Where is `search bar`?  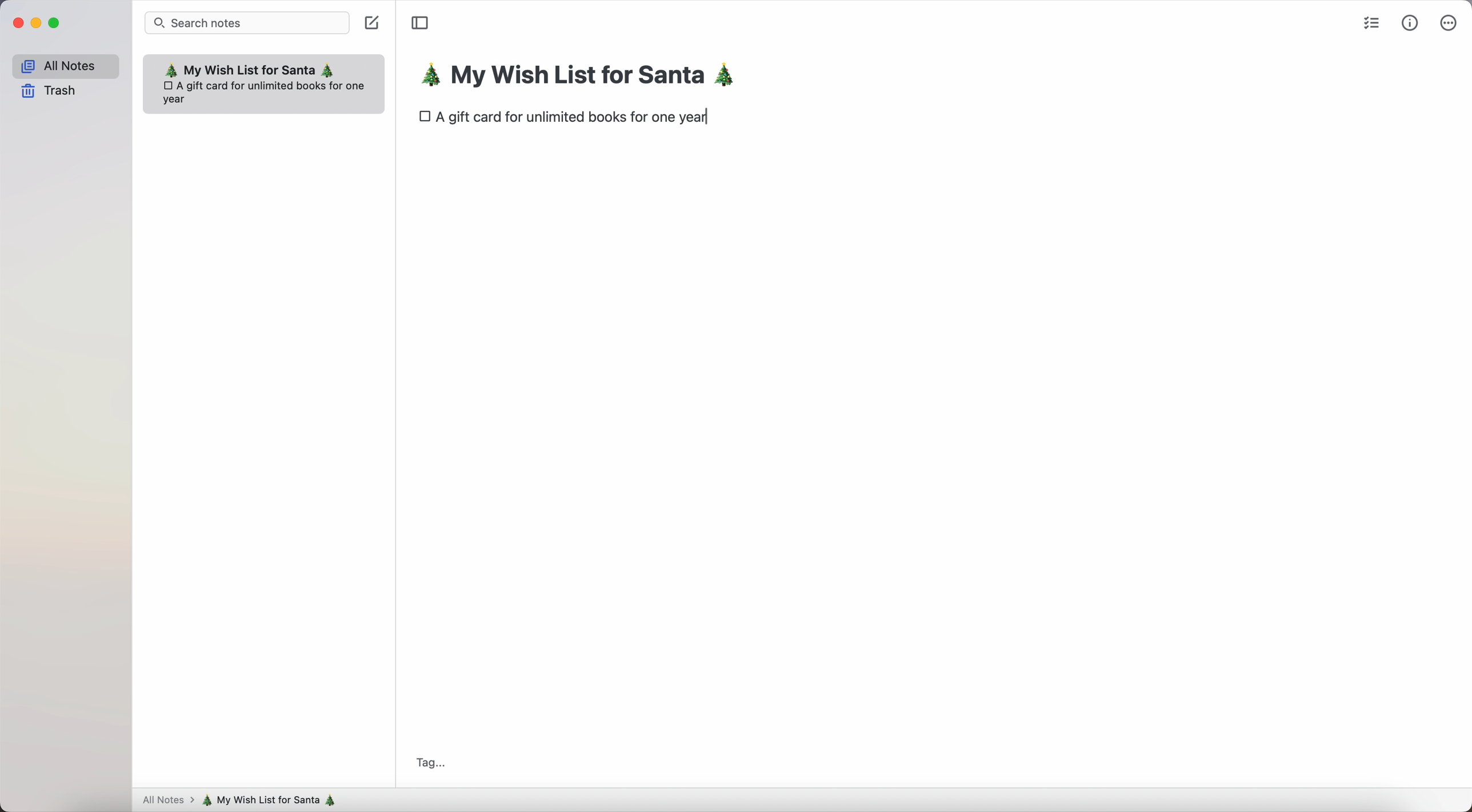 search bar is located at coordinates (247, 22).